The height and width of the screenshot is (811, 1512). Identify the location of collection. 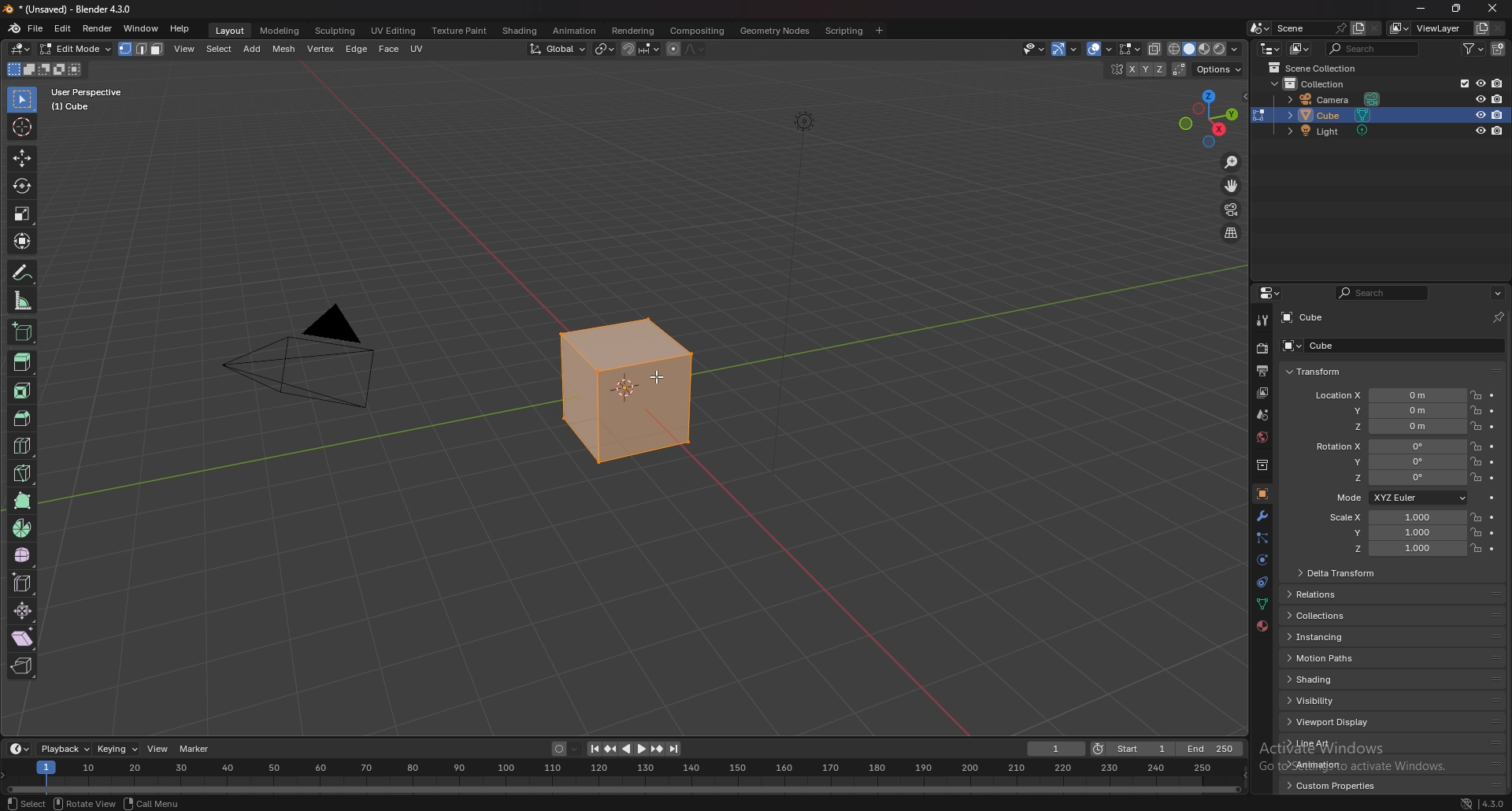
(1259, 465).